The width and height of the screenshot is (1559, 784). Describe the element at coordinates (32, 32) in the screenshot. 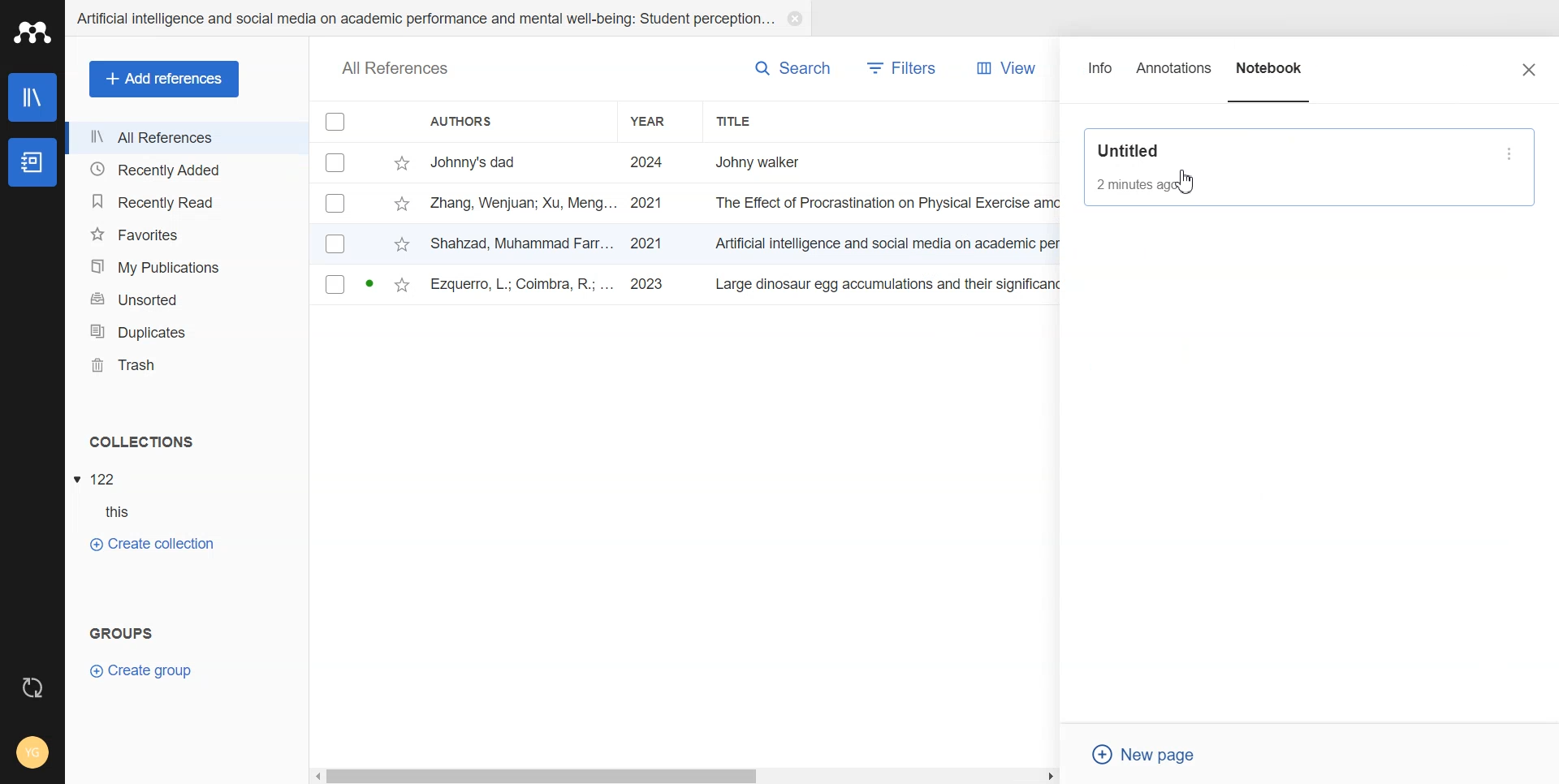

I see `Logo` at that location.